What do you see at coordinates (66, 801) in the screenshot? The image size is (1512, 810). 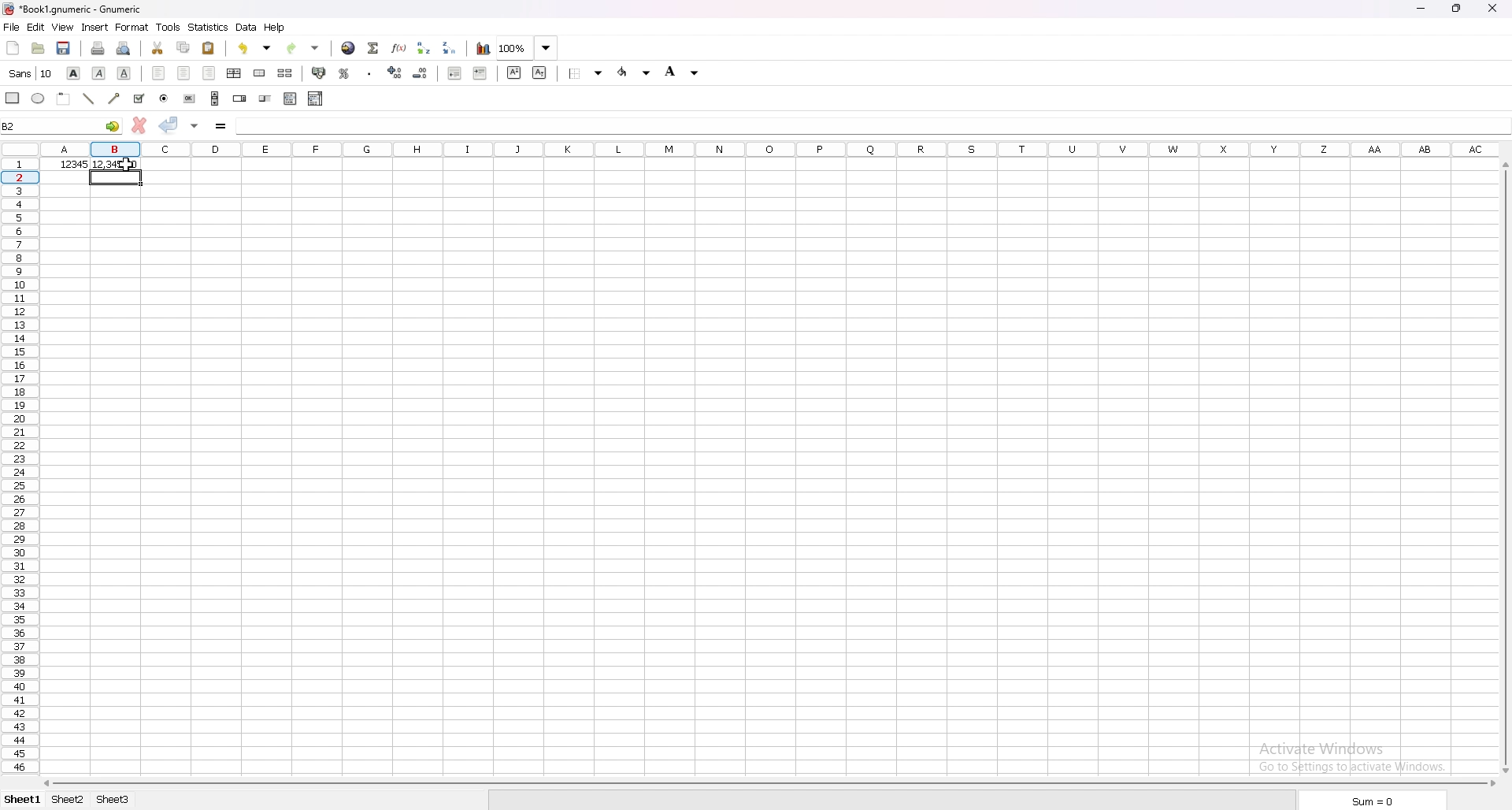 I see `sheet 2` at bounding box center [66, 801].